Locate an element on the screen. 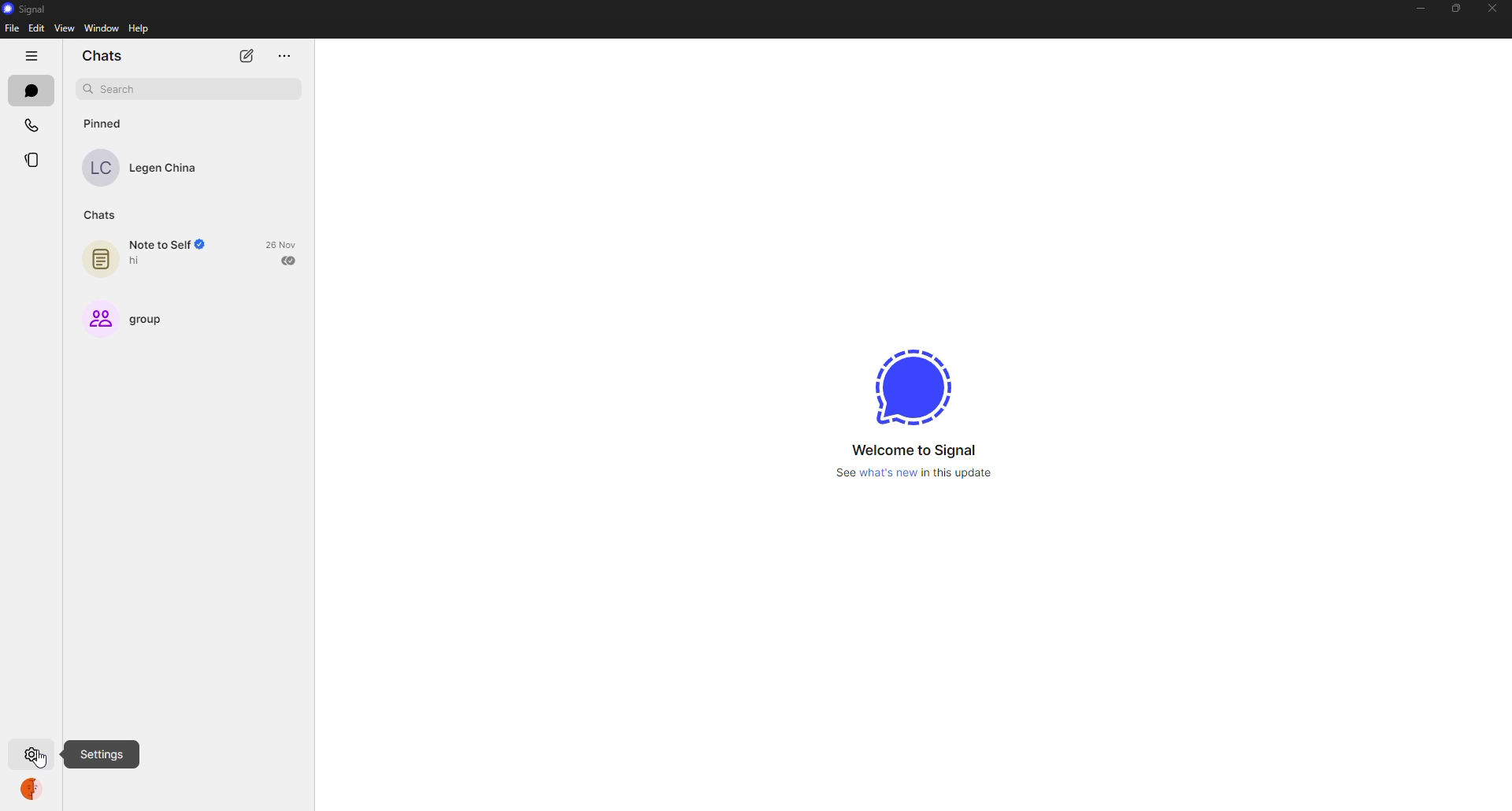  view is located at coordinates (65, 28).